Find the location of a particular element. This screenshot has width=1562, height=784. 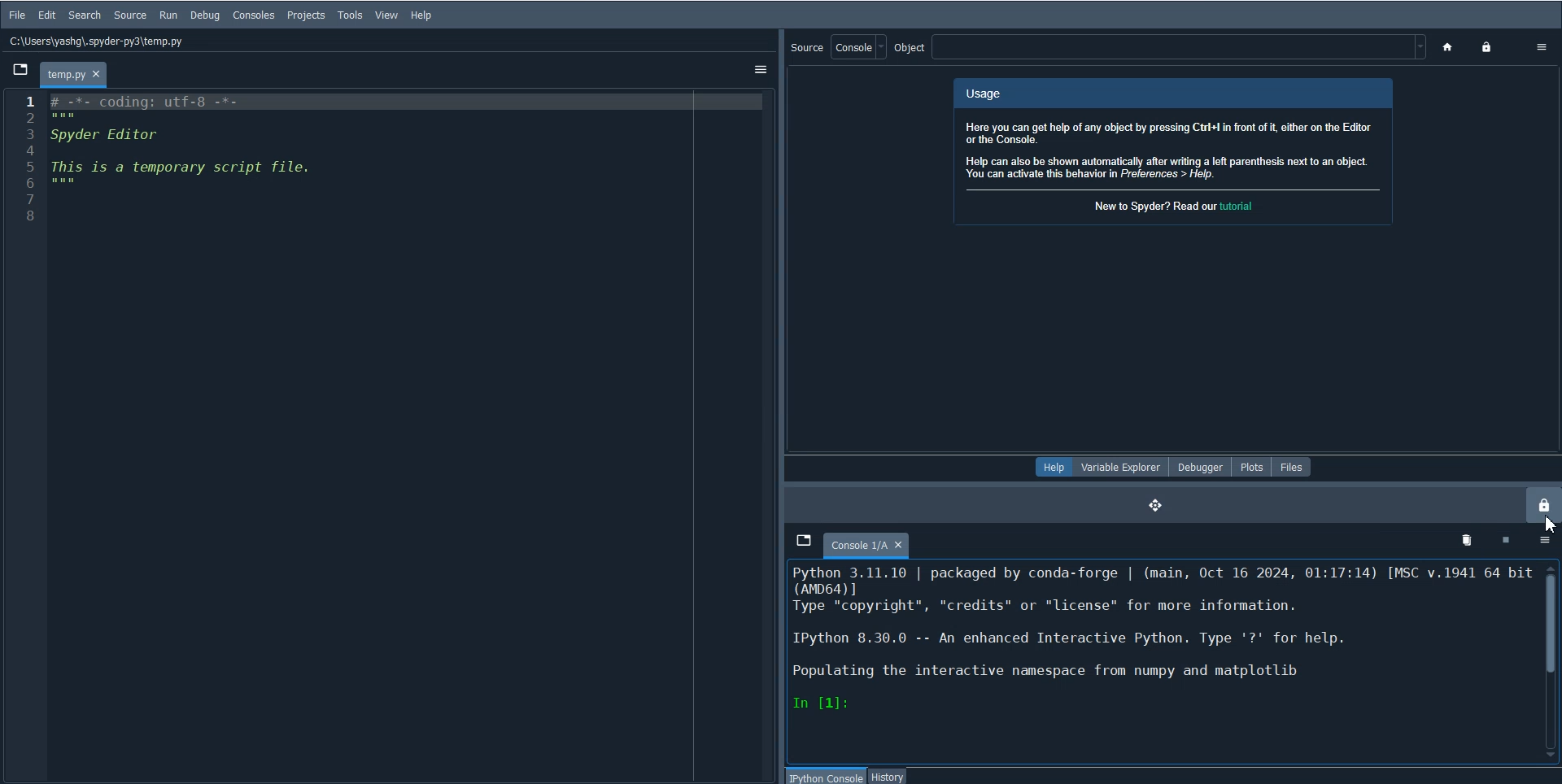

Drag Handle is located at coordinates (1156, 505).